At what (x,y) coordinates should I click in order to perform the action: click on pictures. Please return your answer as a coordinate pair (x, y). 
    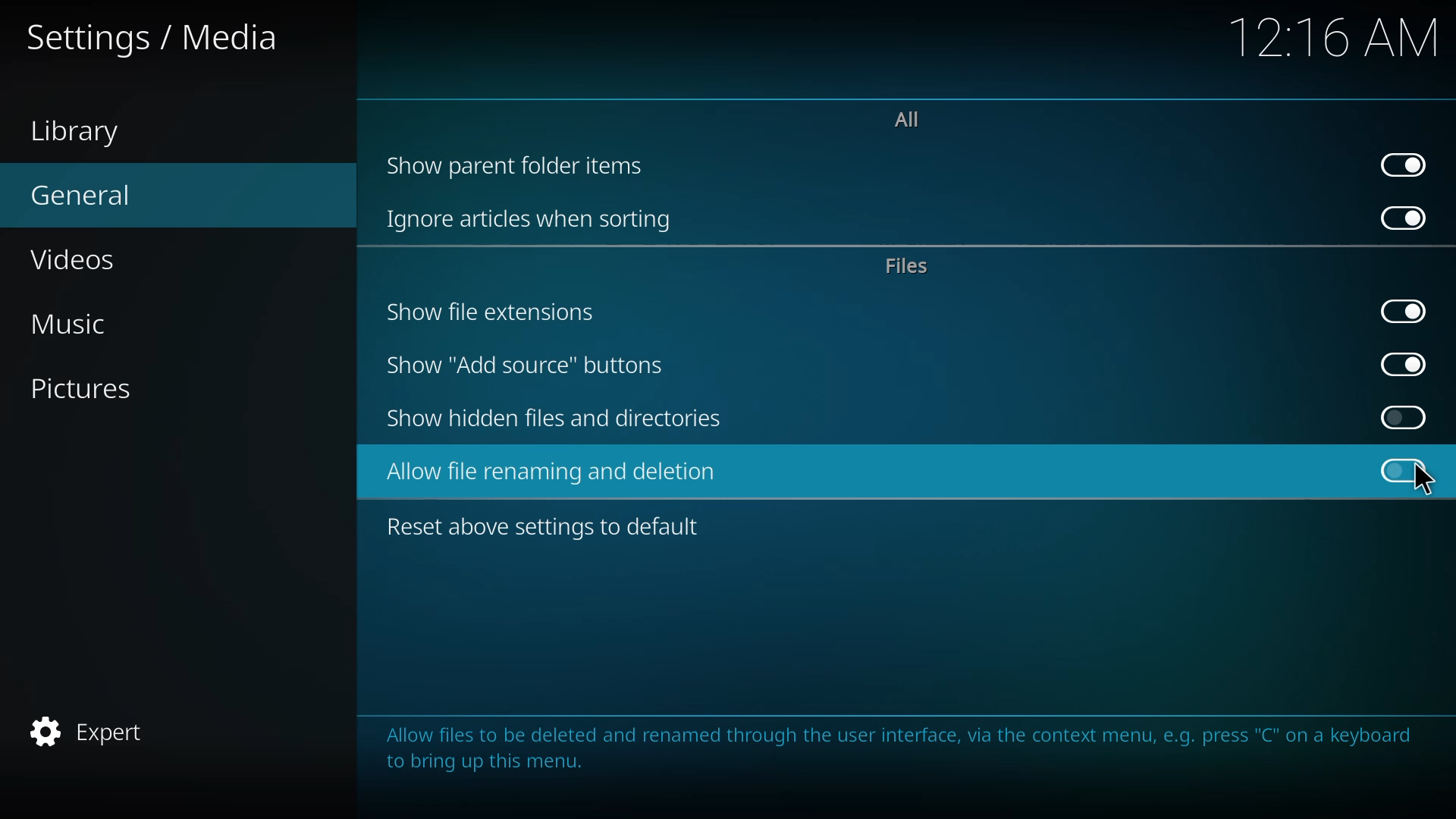
    Looking at the image, I should click on (92, 388).